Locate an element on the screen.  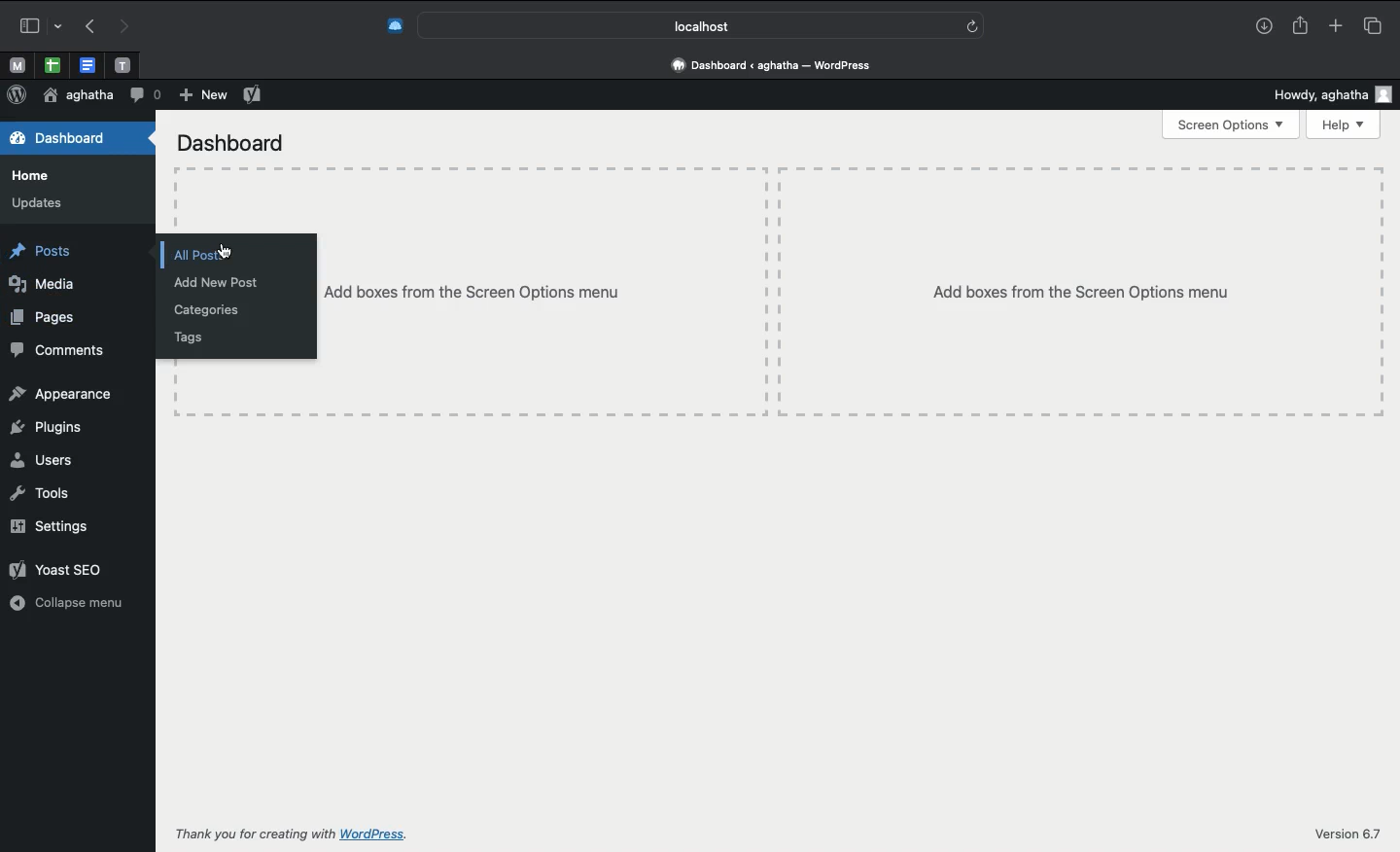
Sidebar is located at coordinates (36, 25).